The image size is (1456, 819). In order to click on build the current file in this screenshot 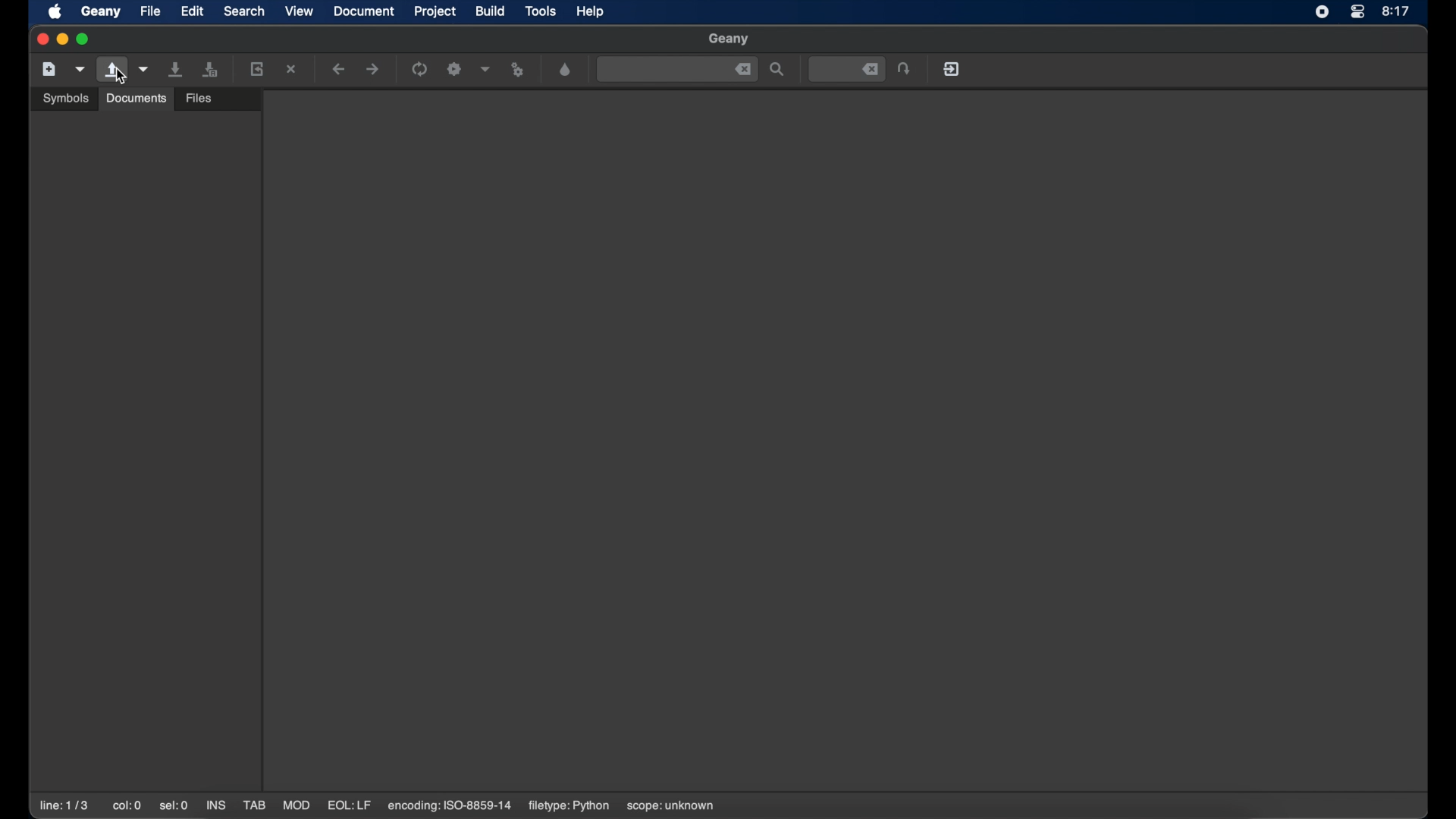, I will do `click(454, 69)`.